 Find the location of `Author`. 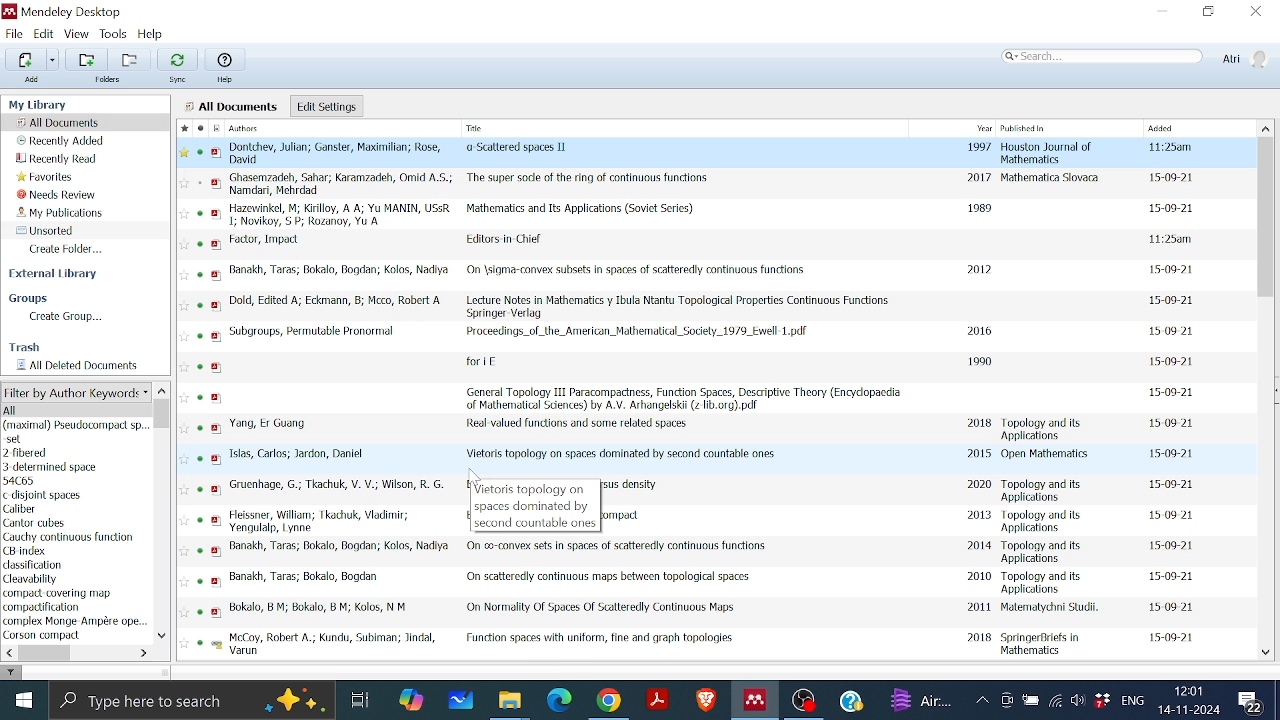

Author is located at coordinates (333, 483).